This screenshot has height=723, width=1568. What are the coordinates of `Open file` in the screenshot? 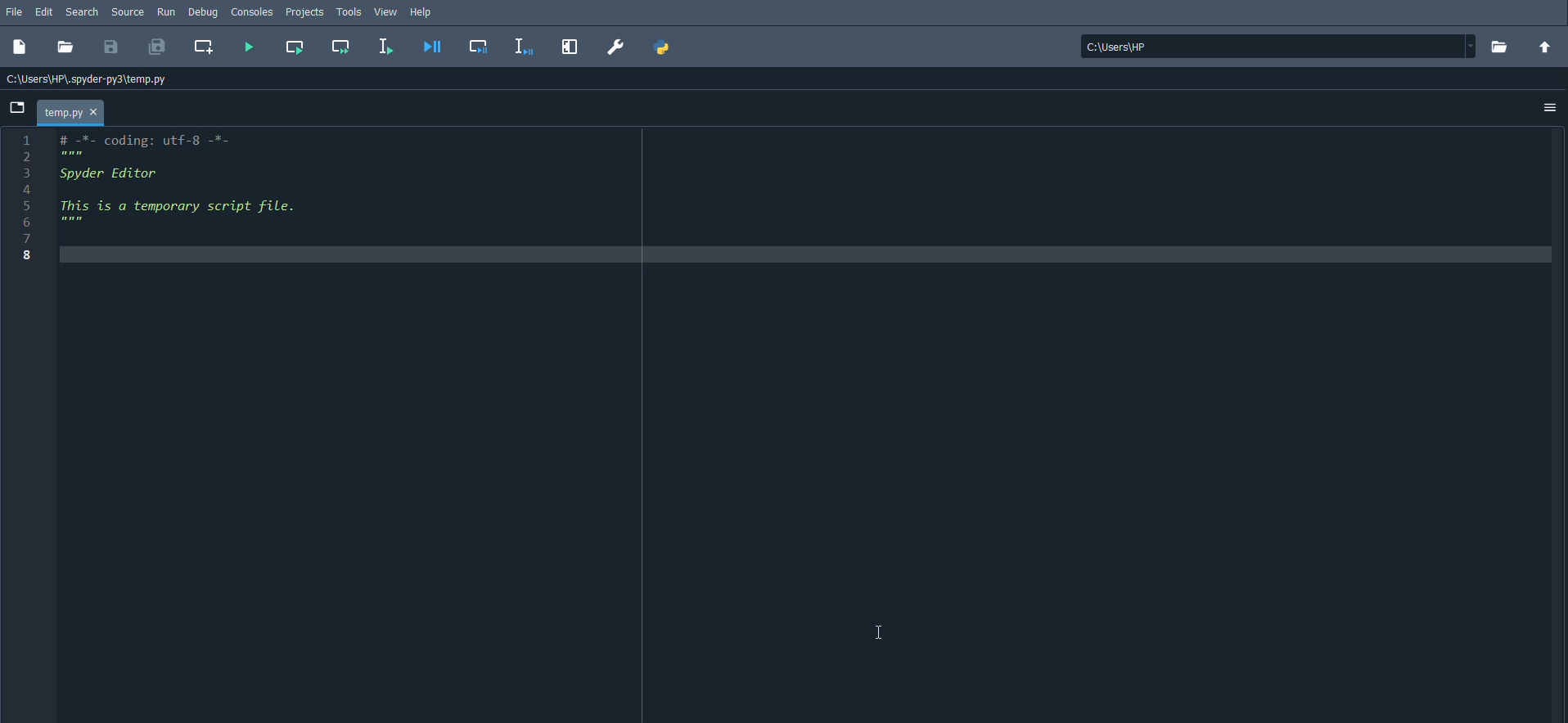 It's located at (67, 49).